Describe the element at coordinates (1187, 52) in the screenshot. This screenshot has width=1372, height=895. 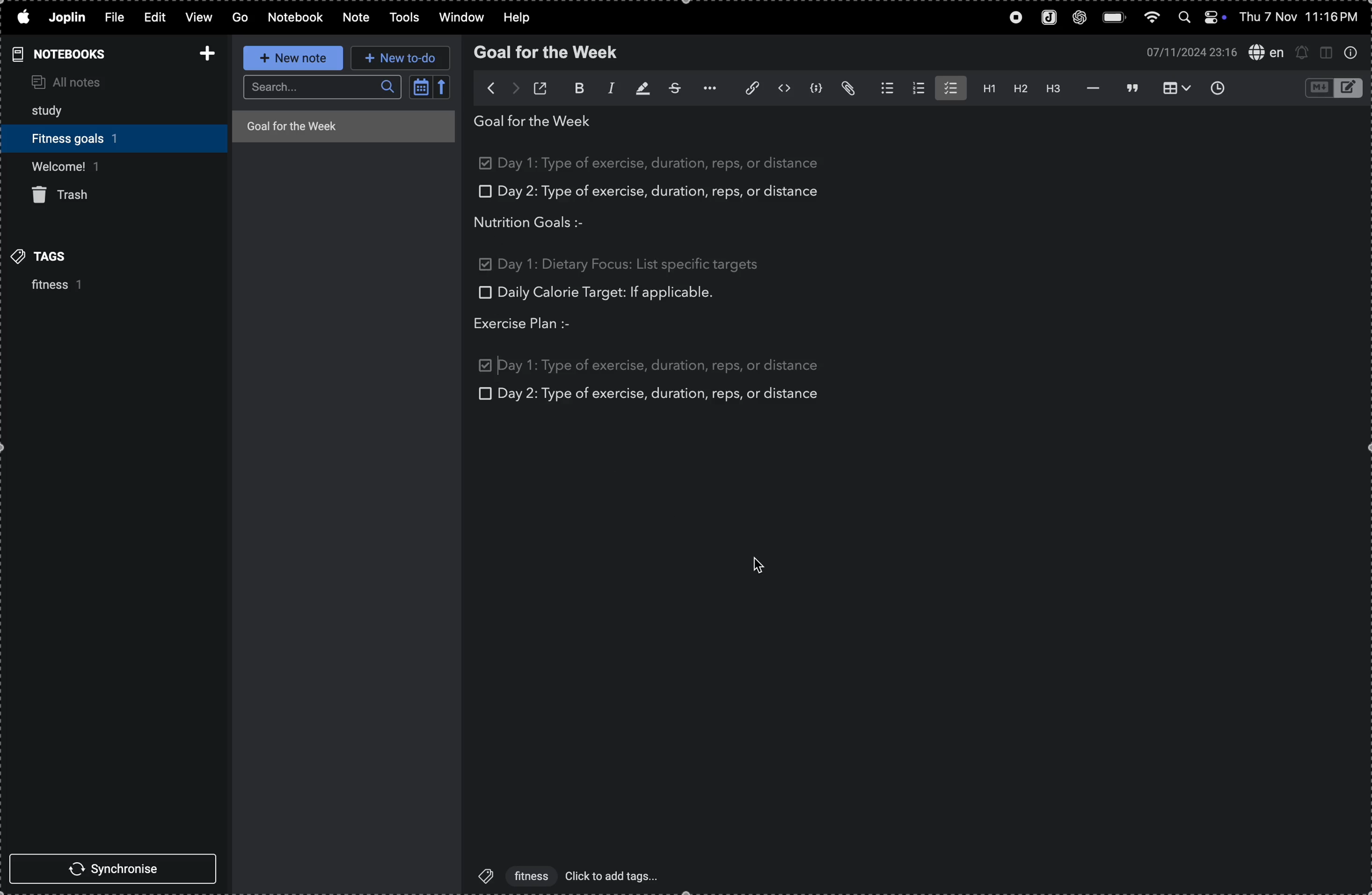
I see `07/11/2024 23:16 ` at that location.